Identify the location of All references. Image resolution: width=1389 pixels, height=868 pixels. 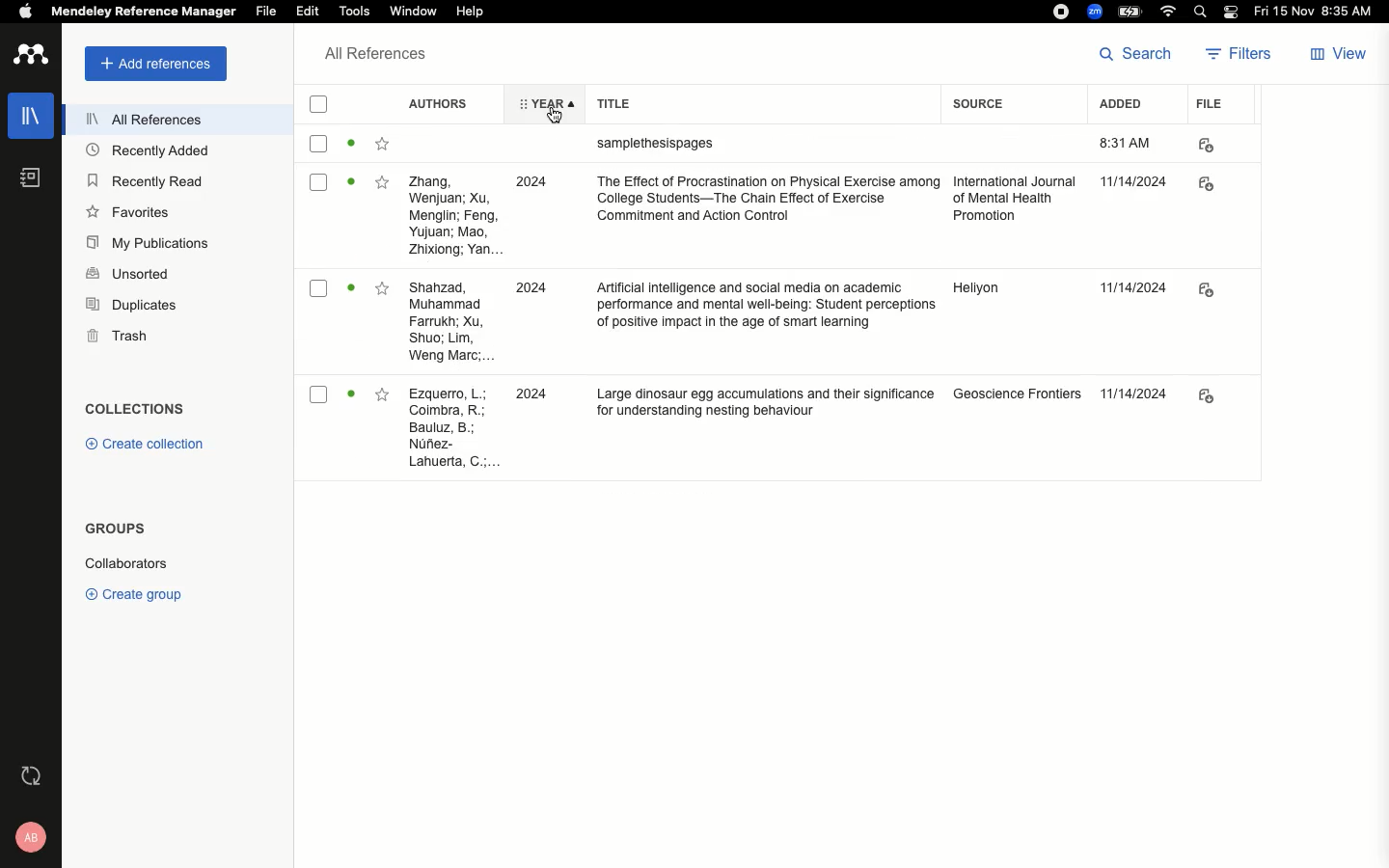
(368, 53).